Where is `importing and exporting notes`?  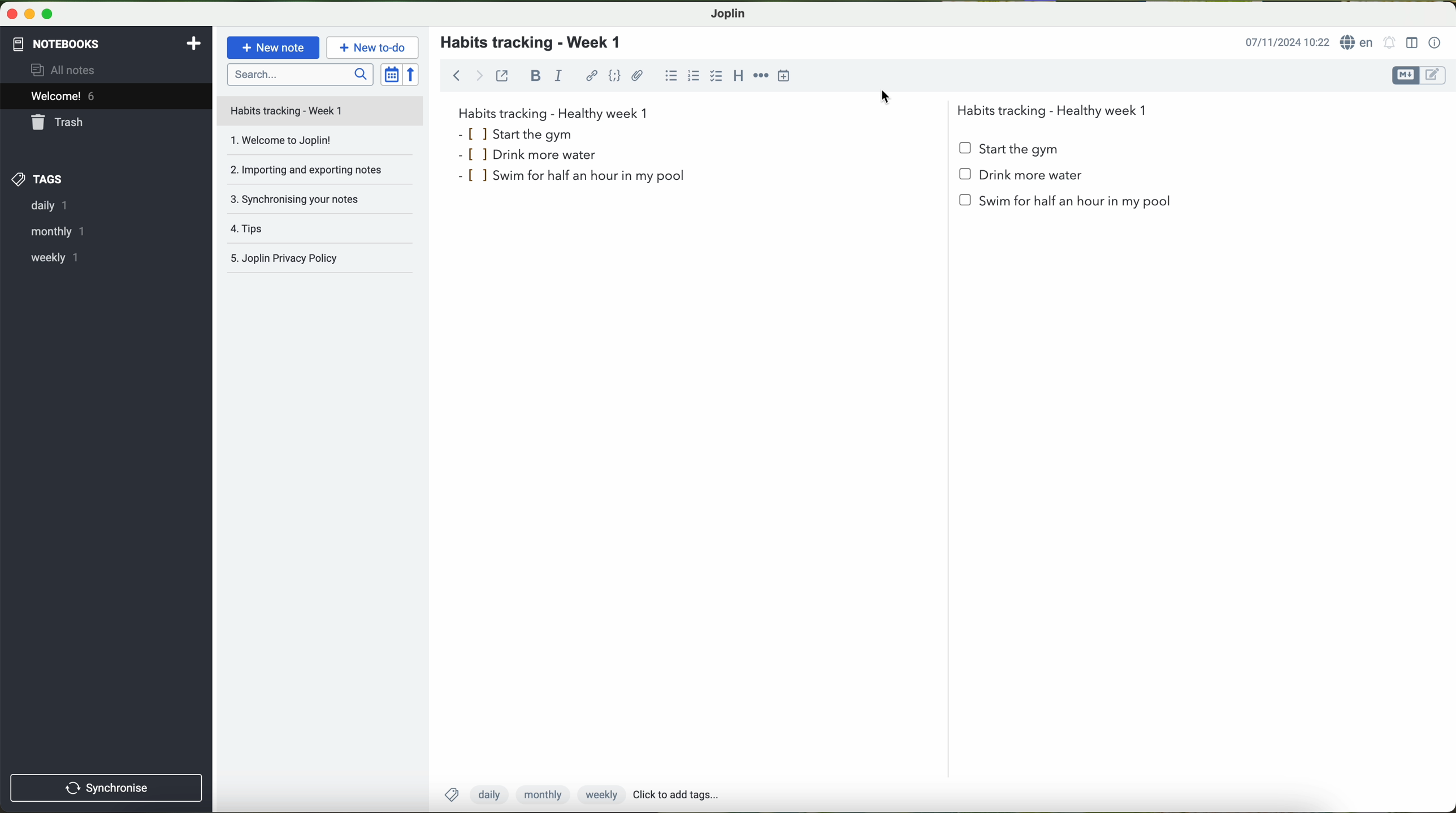
importing and exporting notes is located at coordinates (319, 172).